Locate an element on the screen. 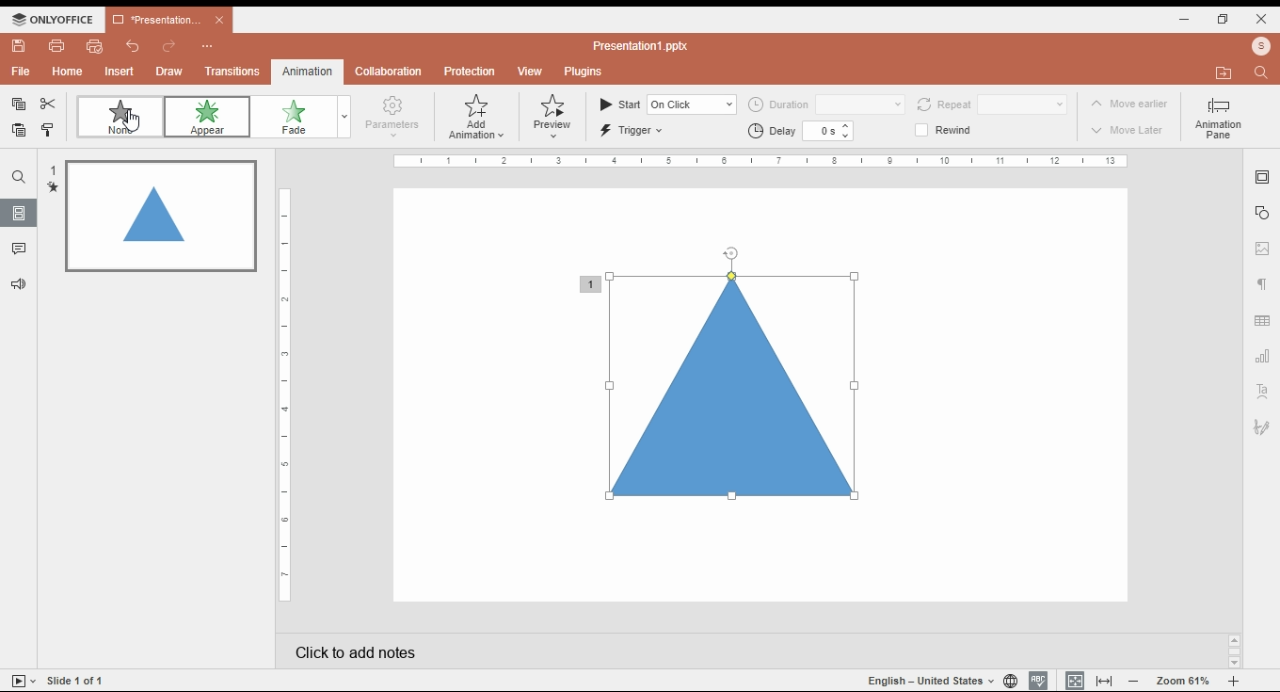 The image size is (1280, 692). title is located at coordinates (645, 45).